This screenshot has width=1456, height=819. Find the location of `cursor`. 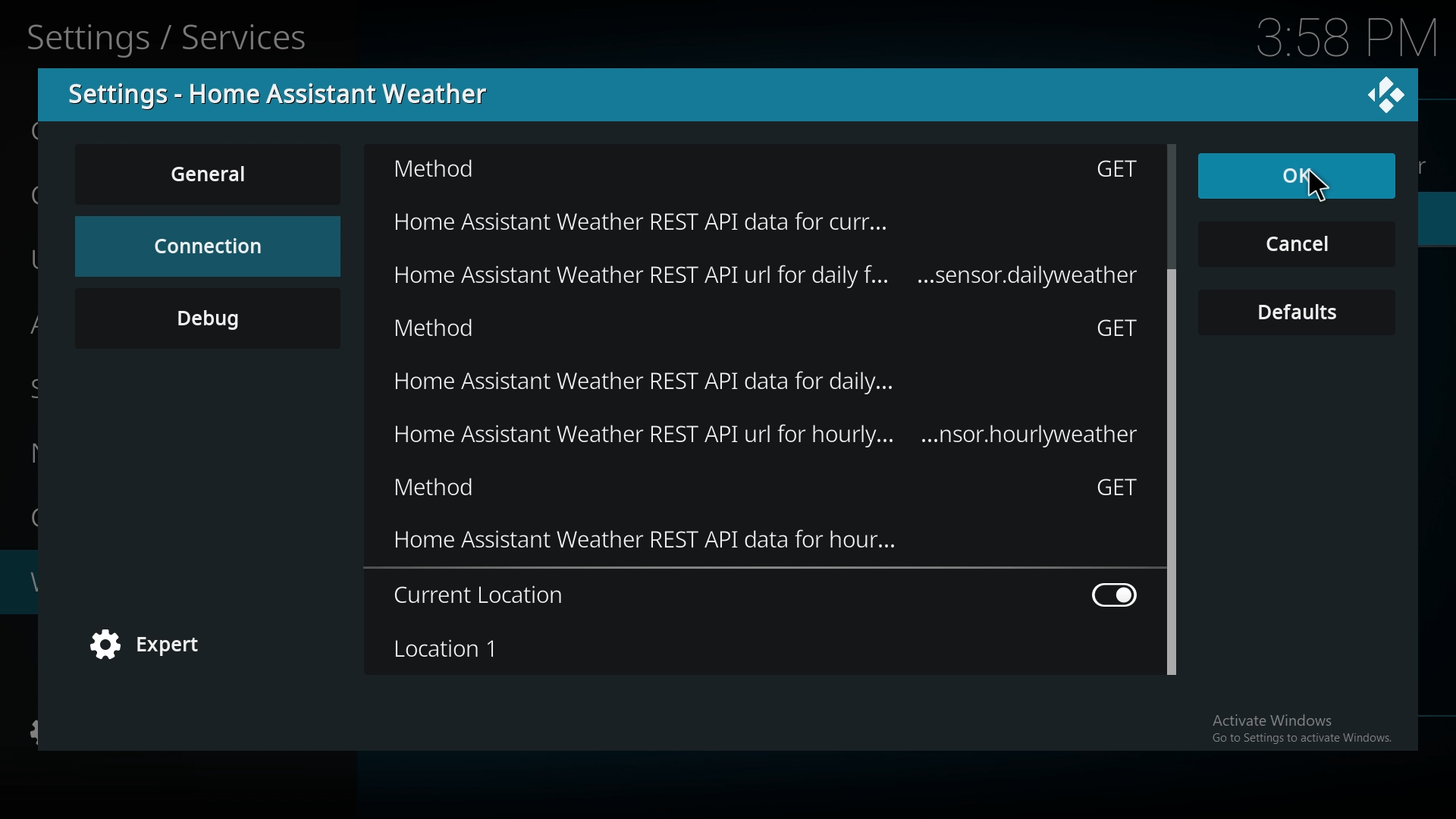

cursor is located at coordinates (1322, 193).